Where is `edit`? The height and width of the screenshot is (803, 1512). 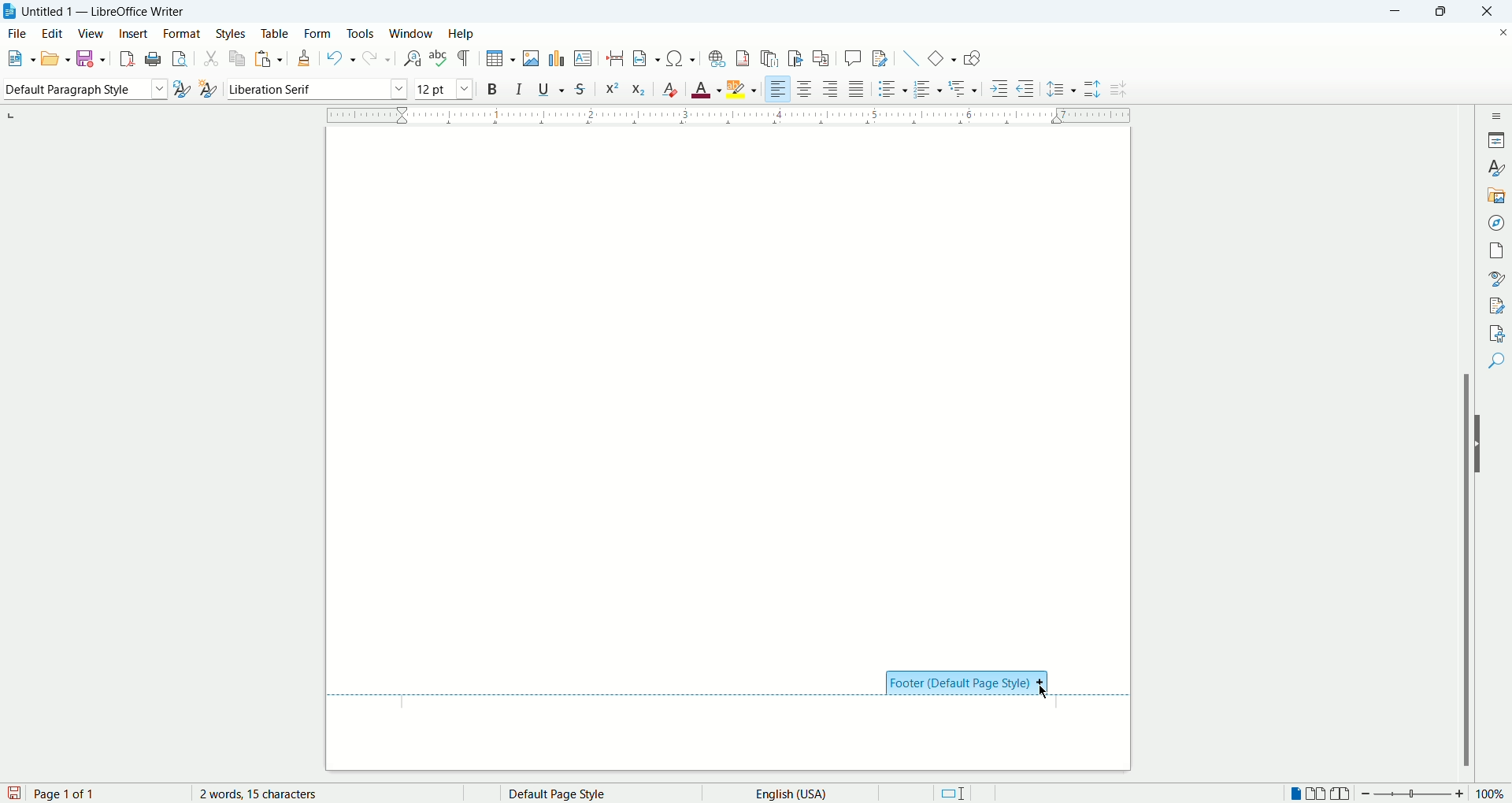 edit is located at coordinates (55, 33).